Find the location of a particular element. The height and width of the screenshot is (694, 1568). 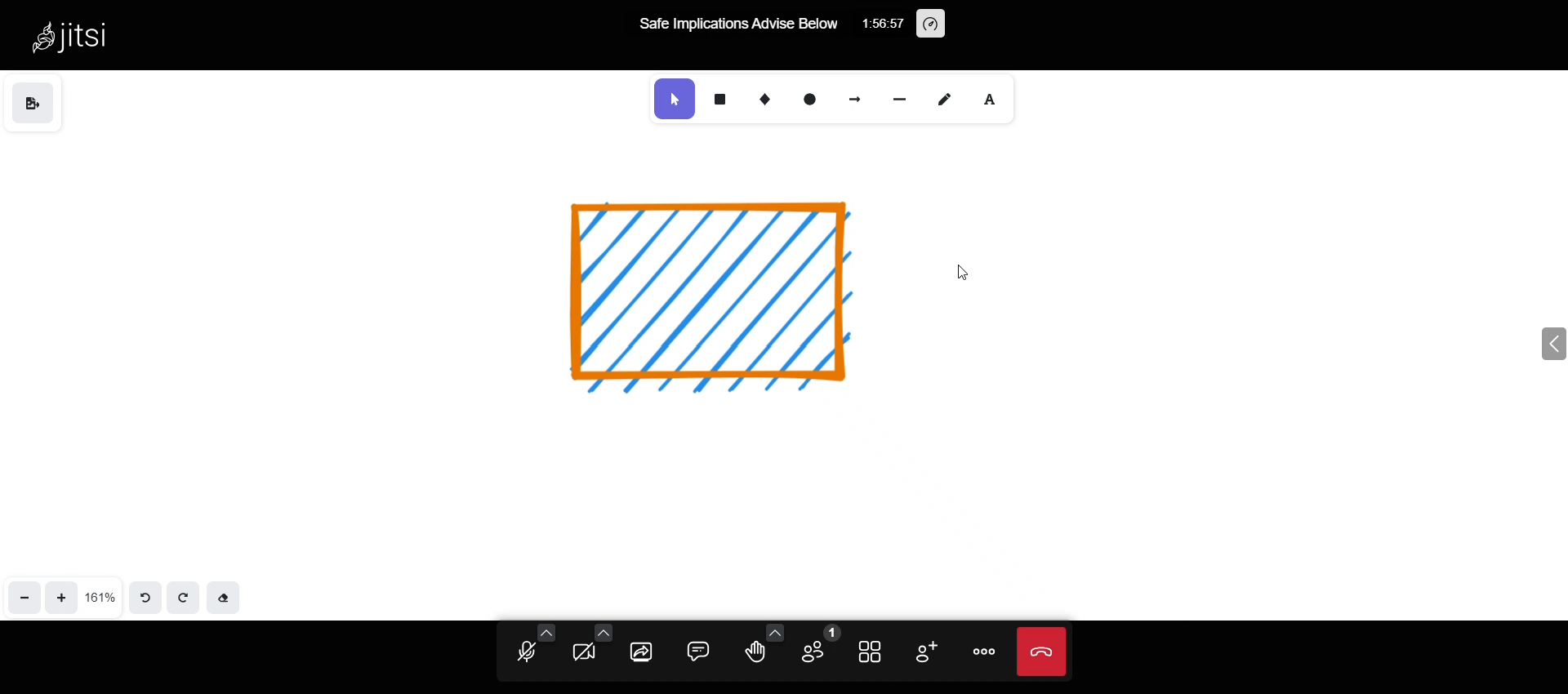

save as image is located at coordinates (38, 107).